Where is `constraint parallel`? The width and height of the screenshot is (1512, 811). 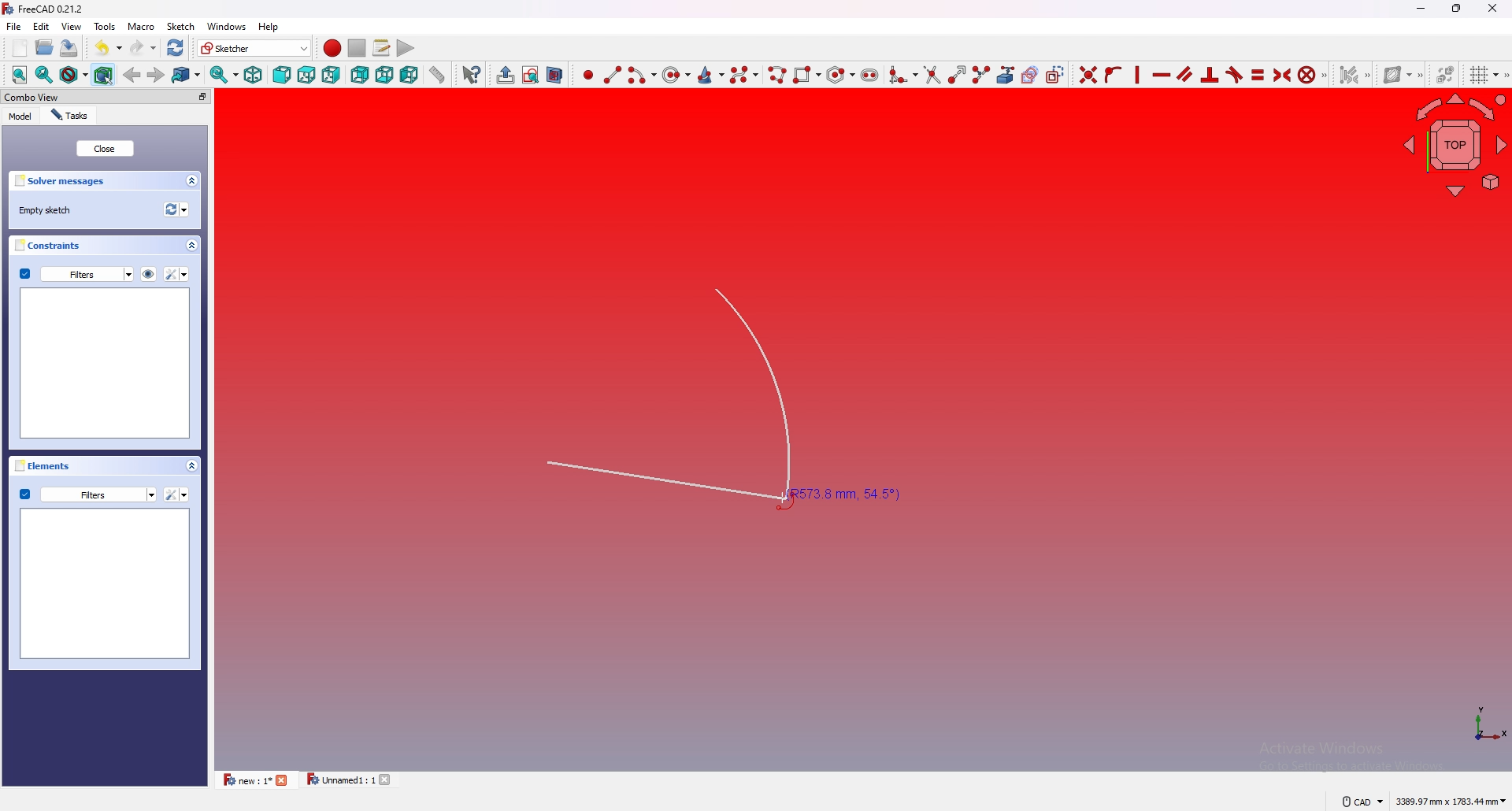 constraint parallel is located at coordinates (1185, 73).